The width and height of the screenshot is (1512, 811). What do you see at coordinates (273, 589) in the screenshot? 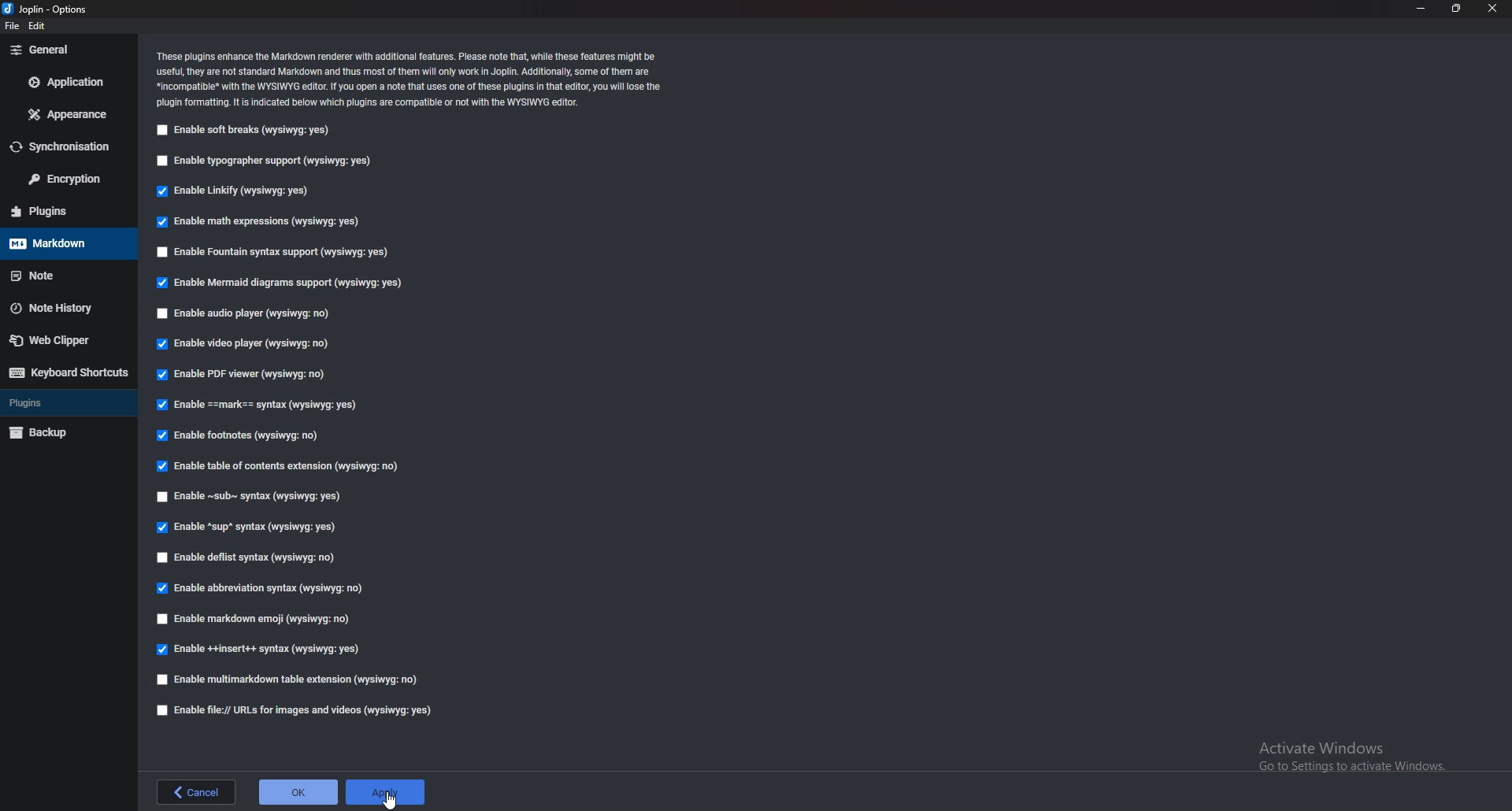
I see `enable abbreviation syntax` at bounding box center [273, 589].